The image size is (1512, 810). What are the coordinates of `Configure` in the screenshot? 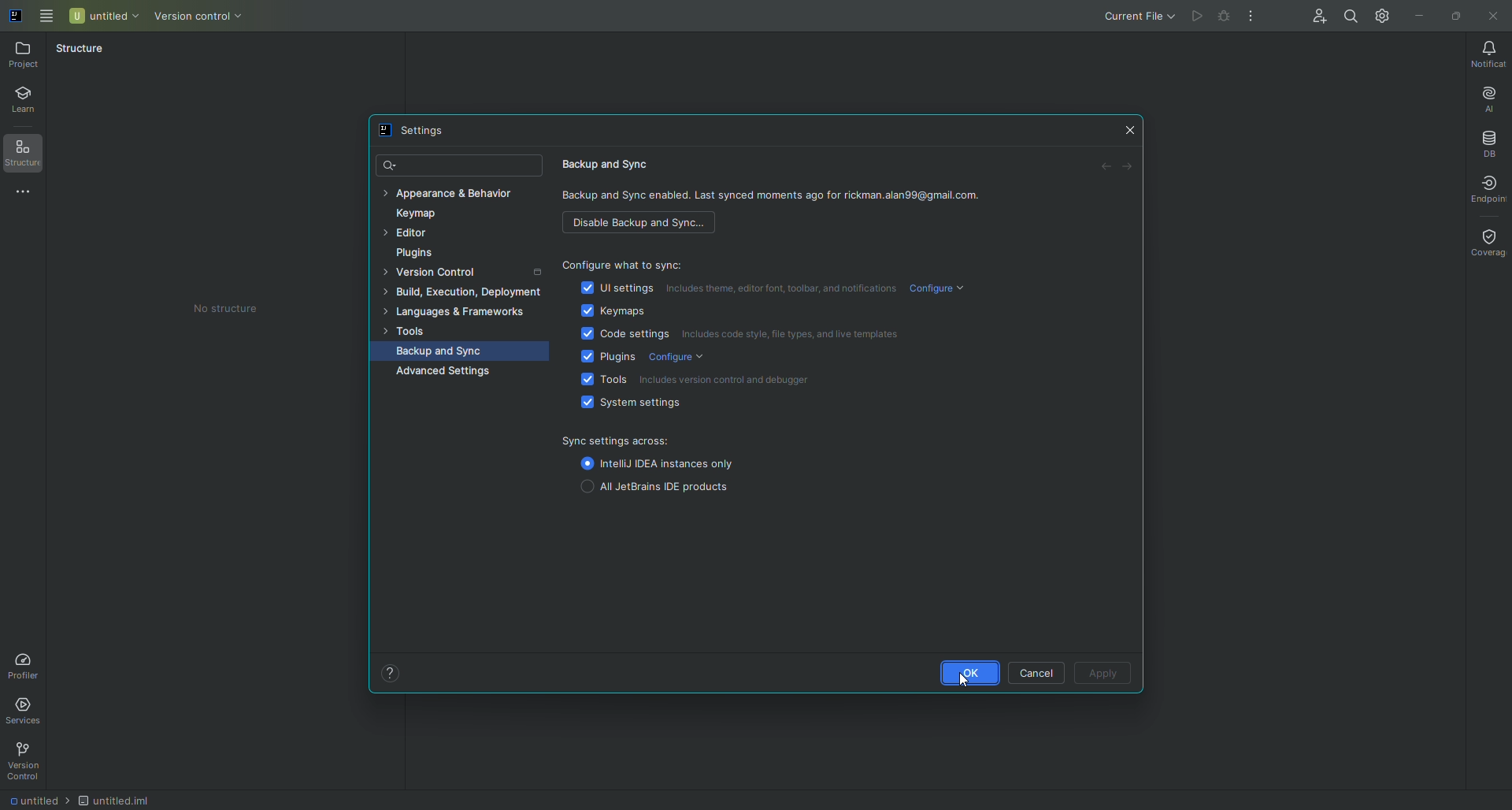 It's located at (944, 289).